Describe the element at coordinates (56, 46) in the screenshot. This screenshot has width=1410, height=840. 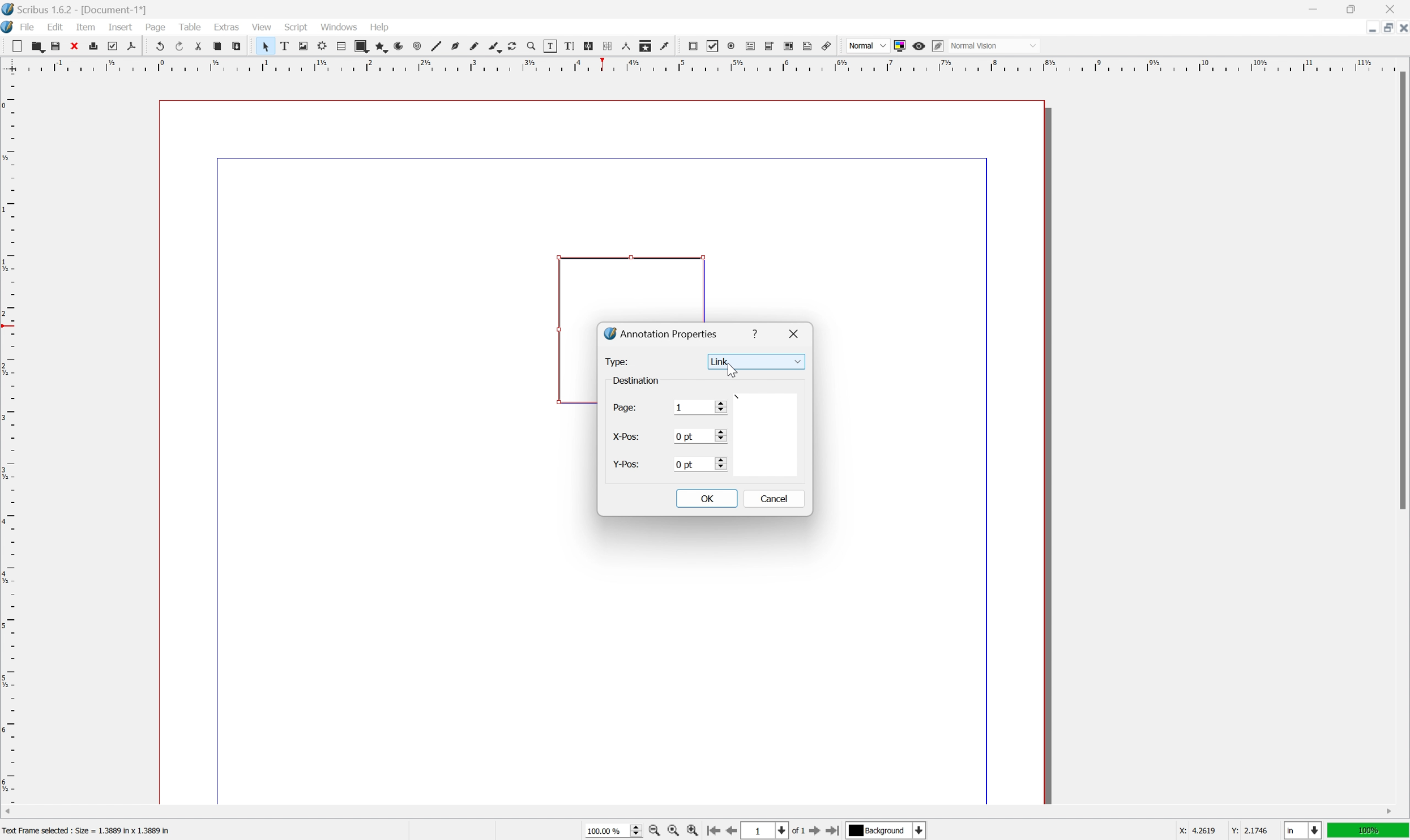
I see `save` at that location.